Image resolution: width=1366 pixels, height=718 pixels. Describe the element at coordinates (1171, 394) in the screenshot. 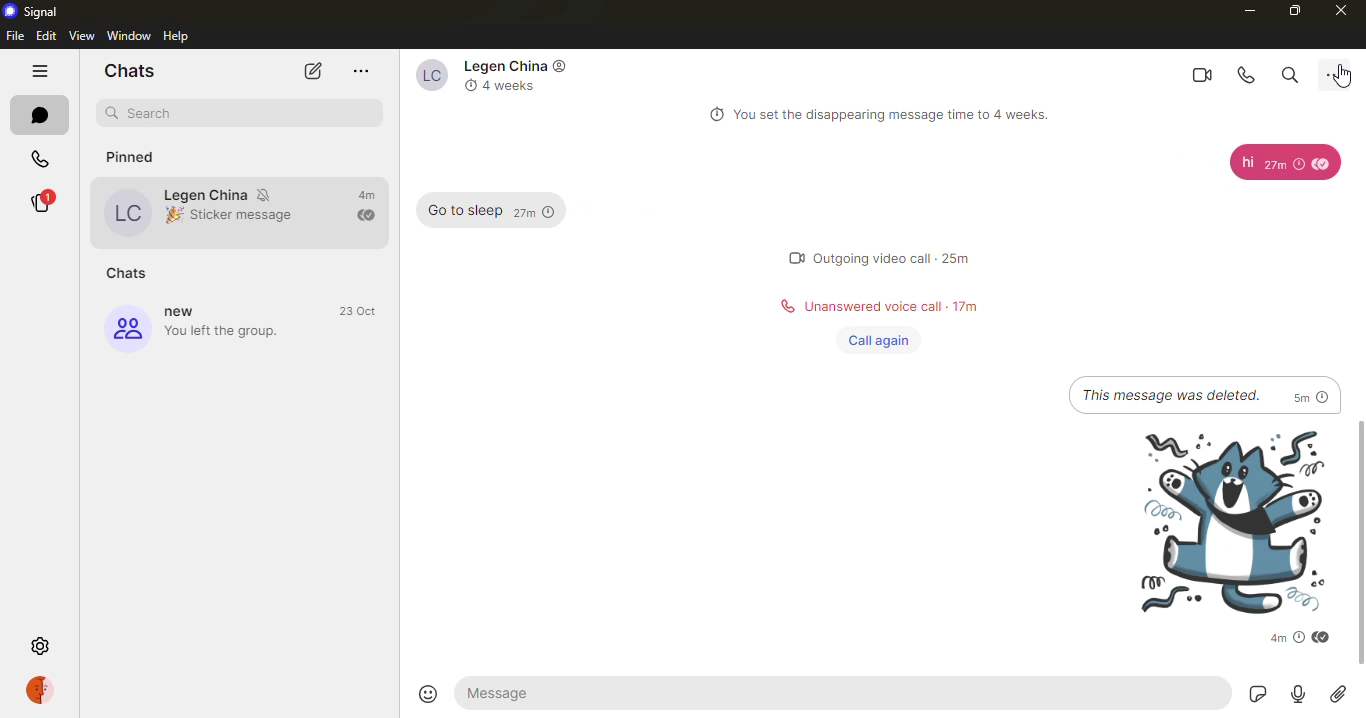

I see `message deleted` at that location.